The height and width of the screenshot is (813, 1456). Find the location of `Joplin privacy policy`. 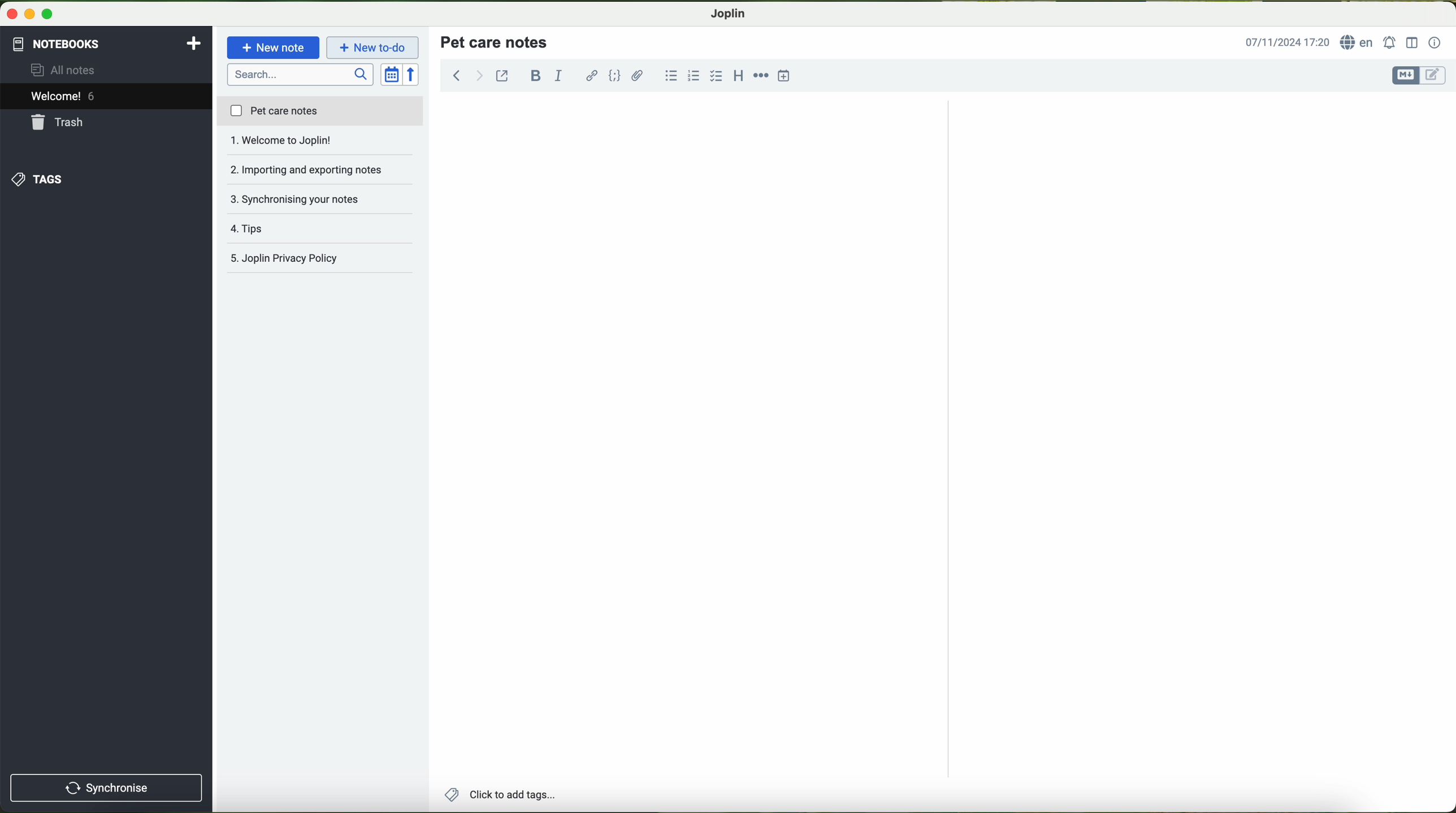

Joplin privacy policy is located at coordinates (321, 229).